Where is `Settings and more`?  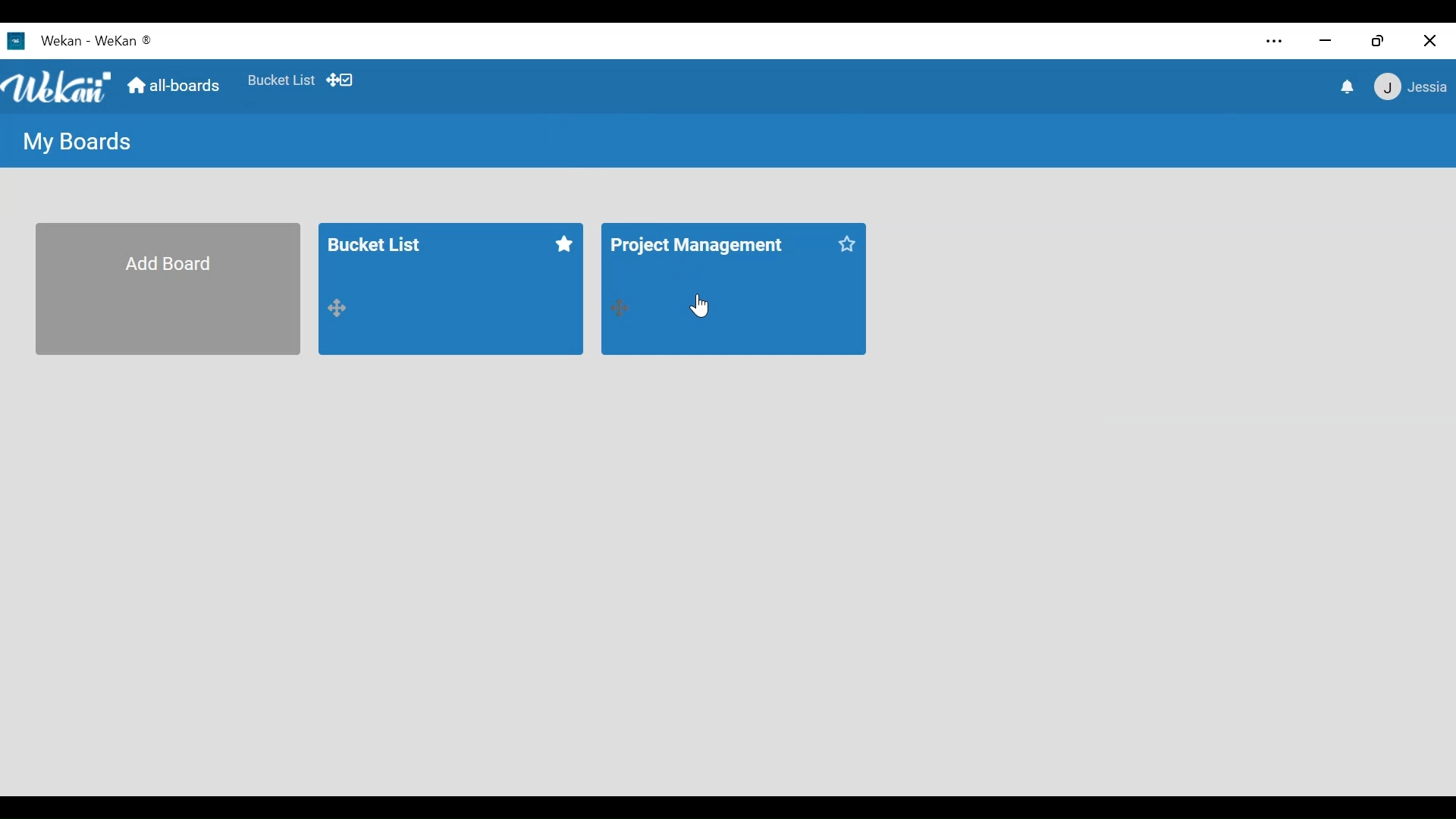
Settings and more is located at coordinates (1276, 40).